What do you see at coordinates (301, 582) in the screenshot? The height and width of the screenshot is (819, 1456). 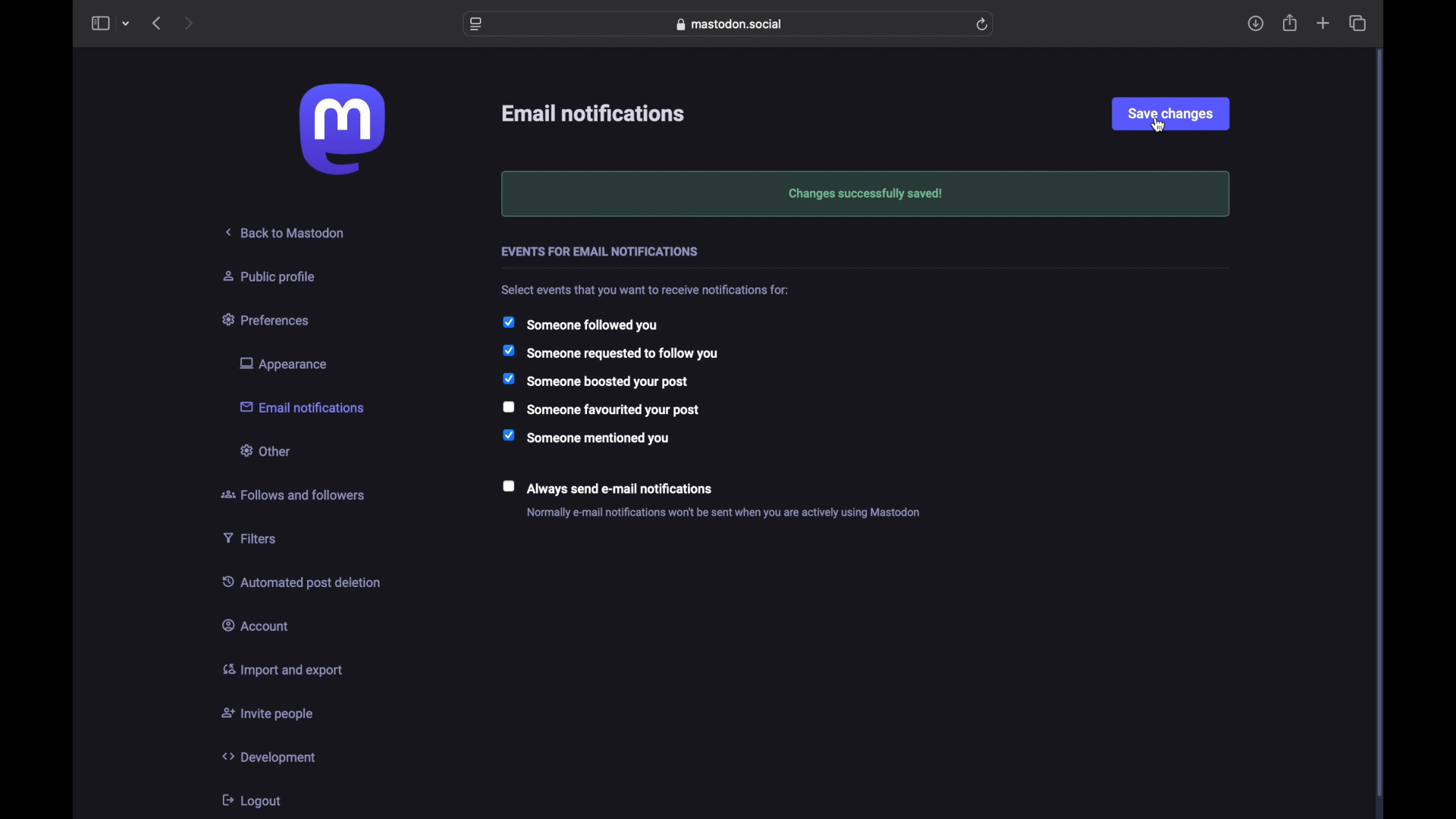 I see `automated post deletion` at bounding box center [301, 582].